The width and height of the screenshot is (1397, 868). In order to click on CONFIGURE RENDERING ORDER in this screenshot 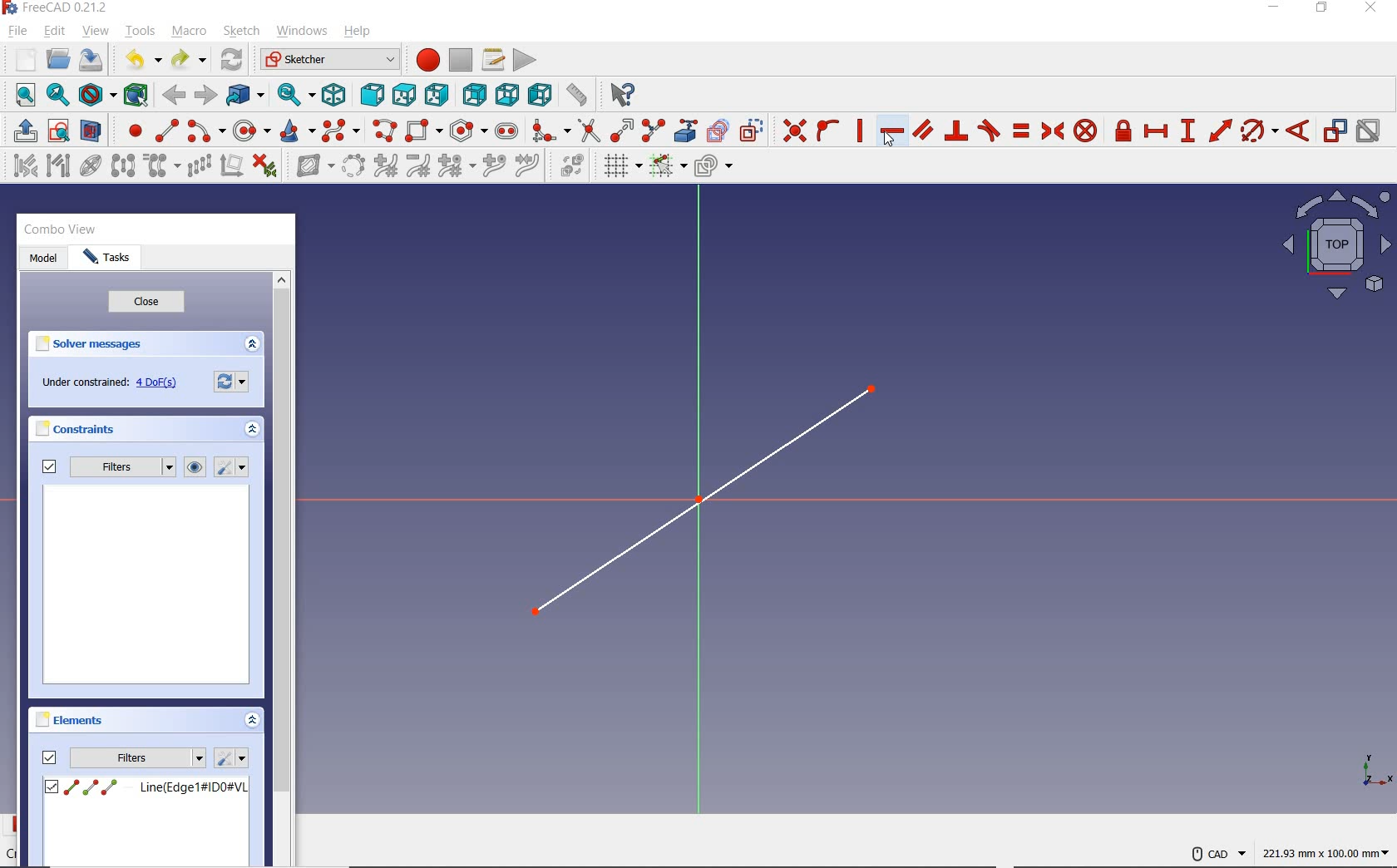, I will do `click(713, 162)`.